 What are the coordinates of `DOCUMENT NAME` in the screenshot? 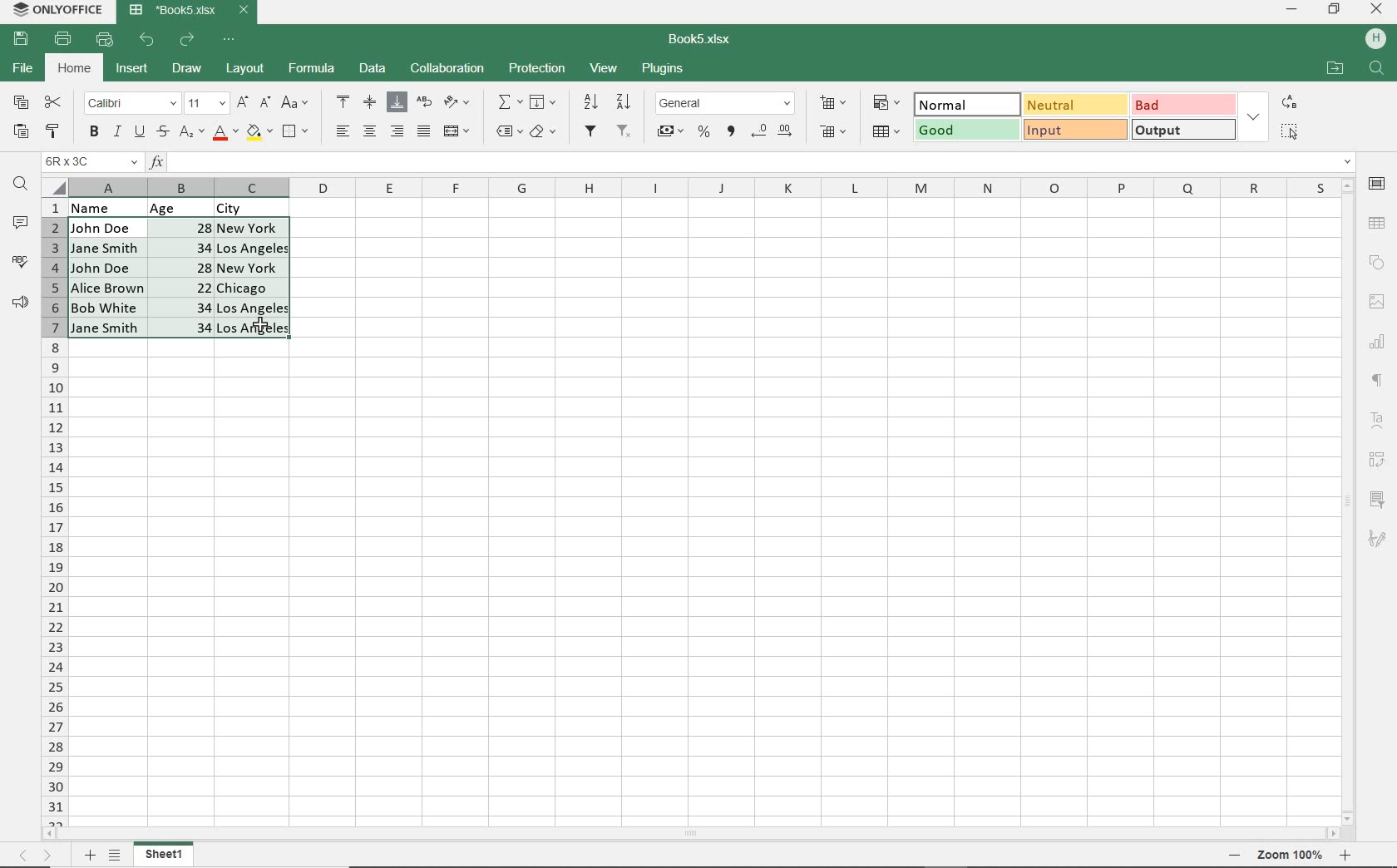 It's located at (706, 40).